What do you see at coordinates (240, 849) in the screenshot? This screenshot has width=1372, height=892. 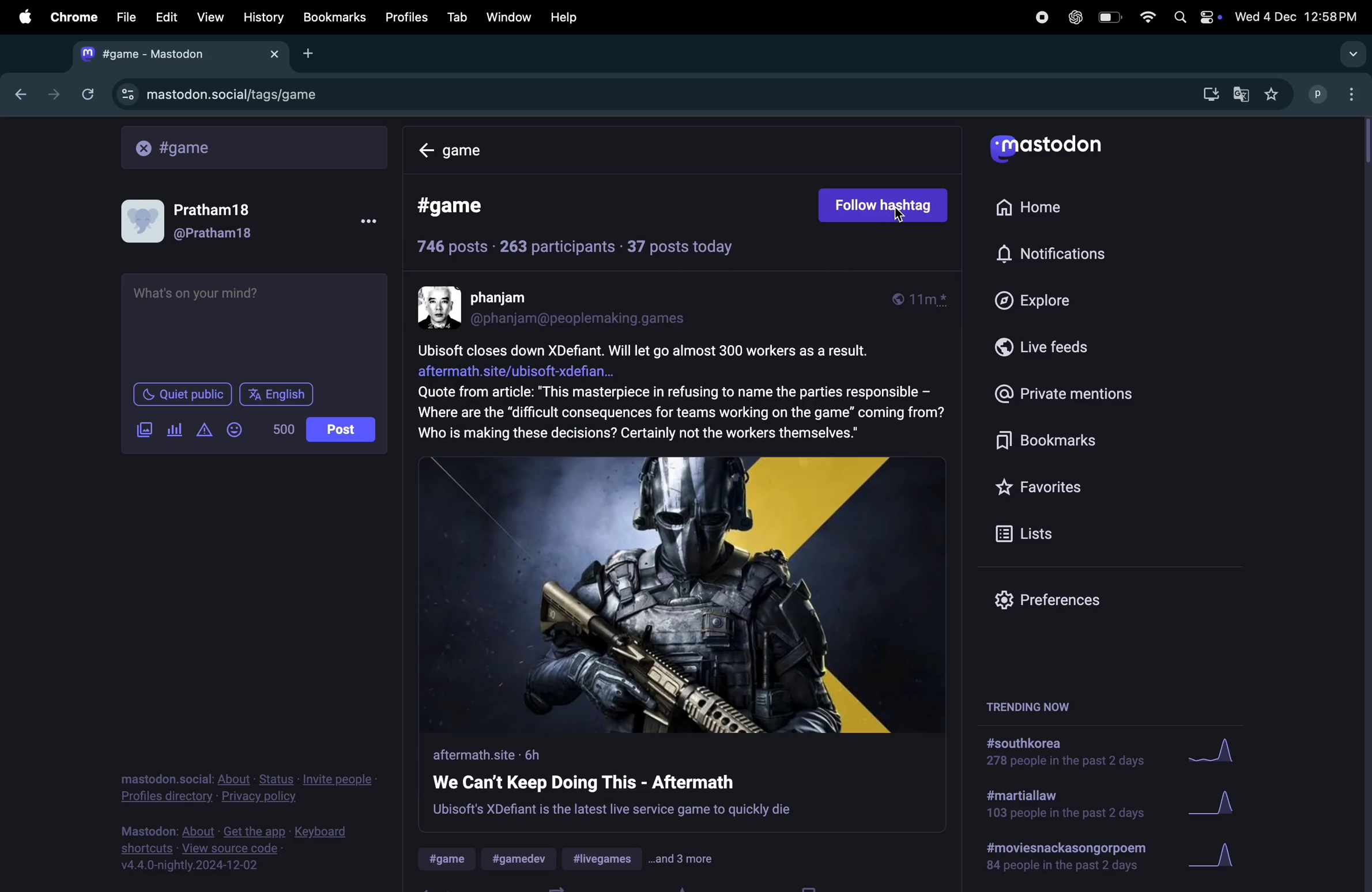 I see `view source code` at bounding box center [240, 849].